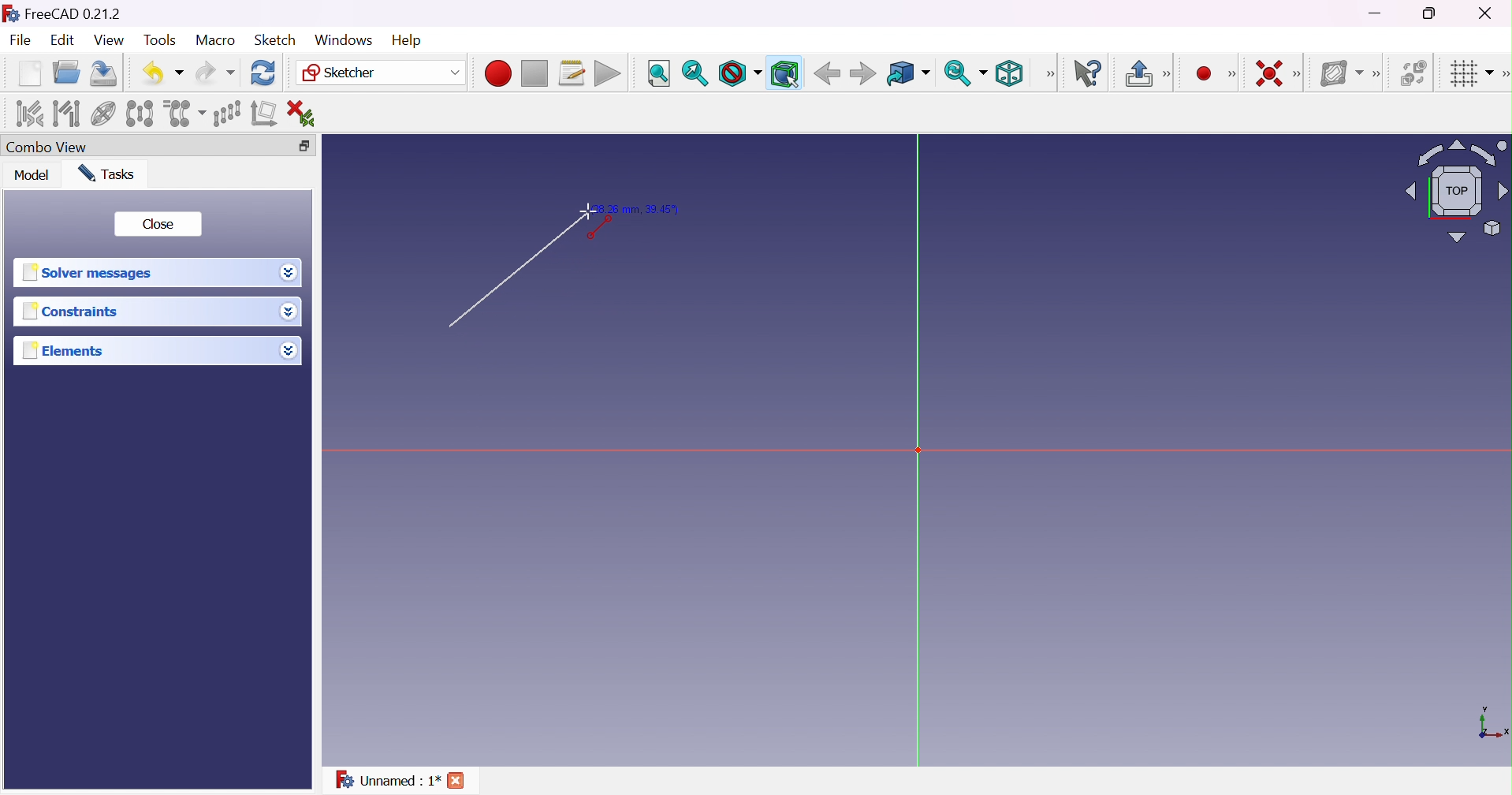 This screenshot has width=1512, height=795. What do you see at coordinates (462, 780) in the screenshot?
I see `Close` at bounding box center [462, 780].